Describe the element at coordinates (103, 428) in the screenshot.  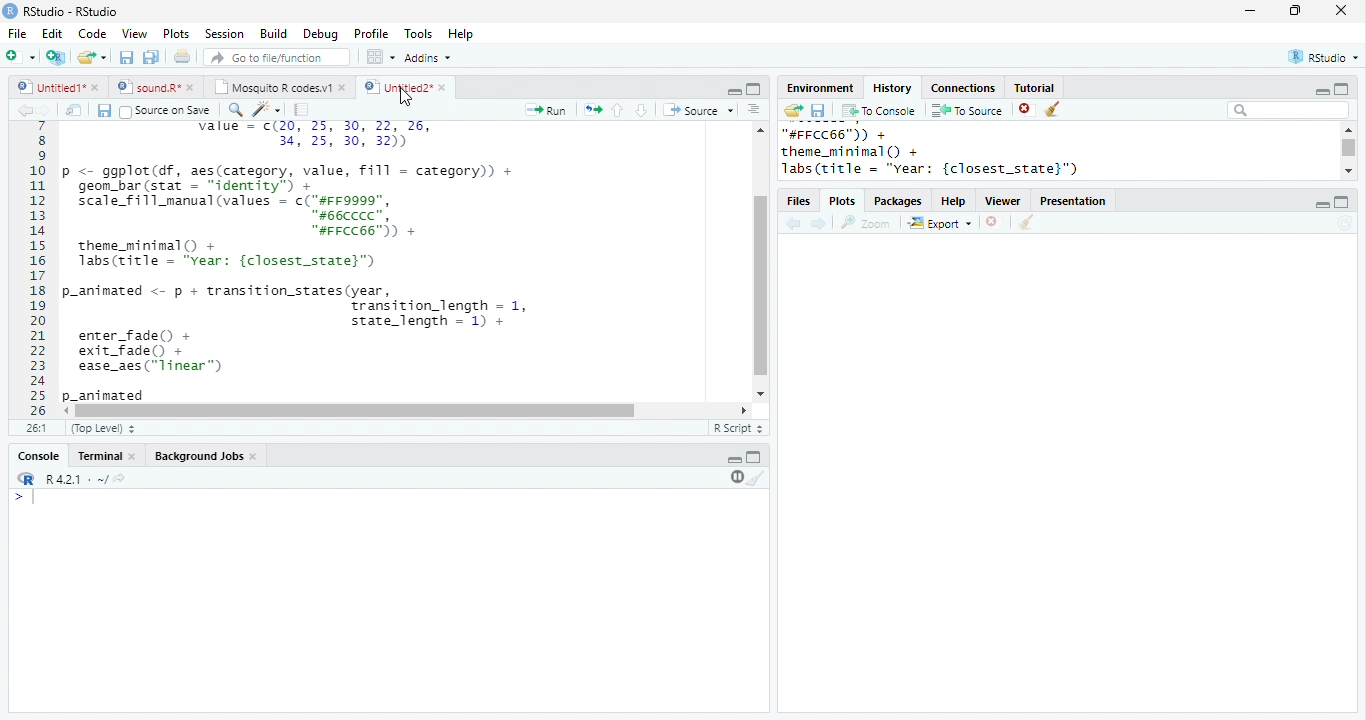
I see `(Top Level)` at that location.